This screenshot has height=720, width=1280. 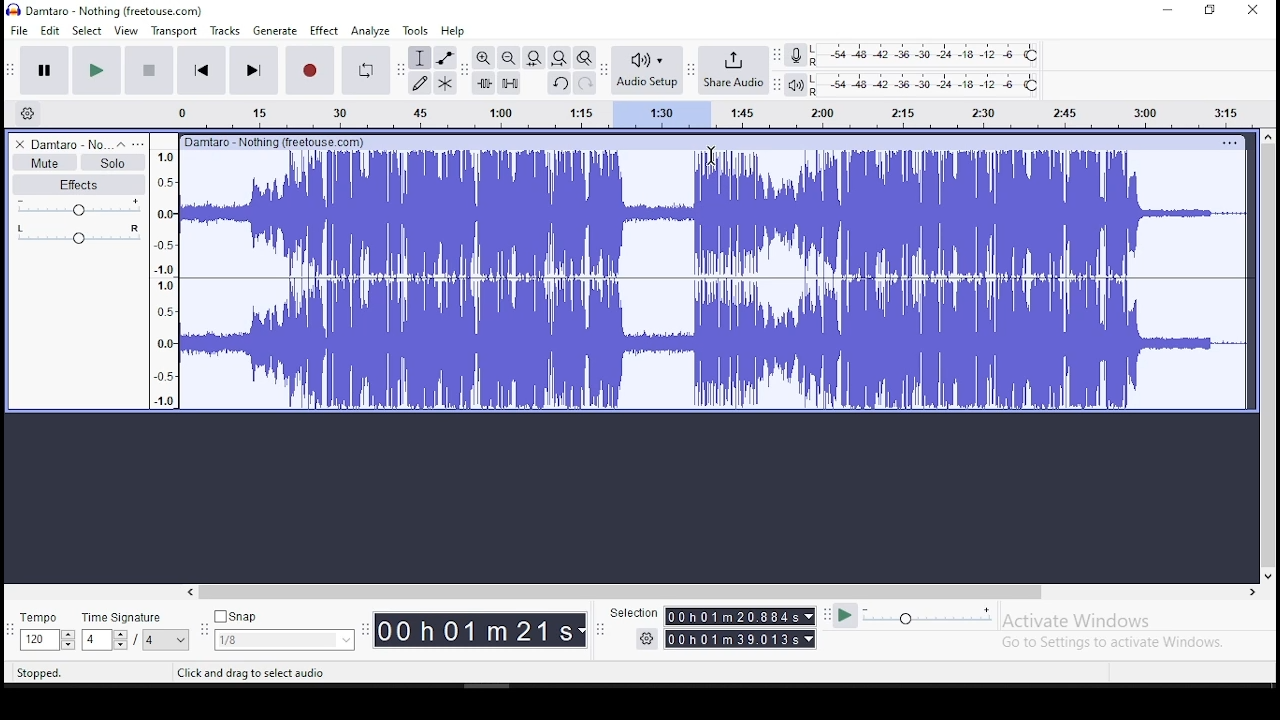 I want to click on drop down, so click(x=67, y=640).